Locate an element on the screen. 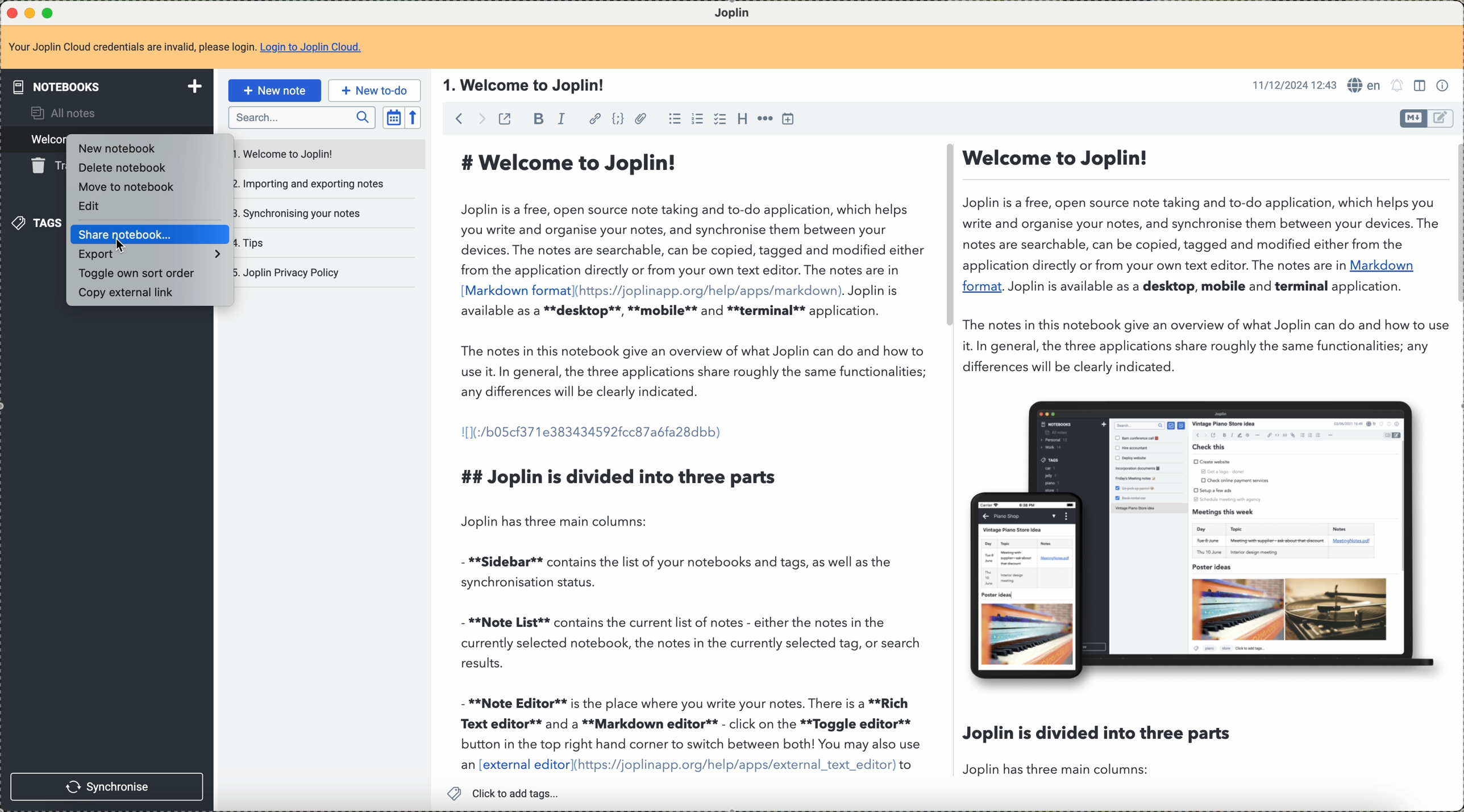 The width and height of the screenshot is (1464, 812). scroll bar is located at coordinates (1455, 225).